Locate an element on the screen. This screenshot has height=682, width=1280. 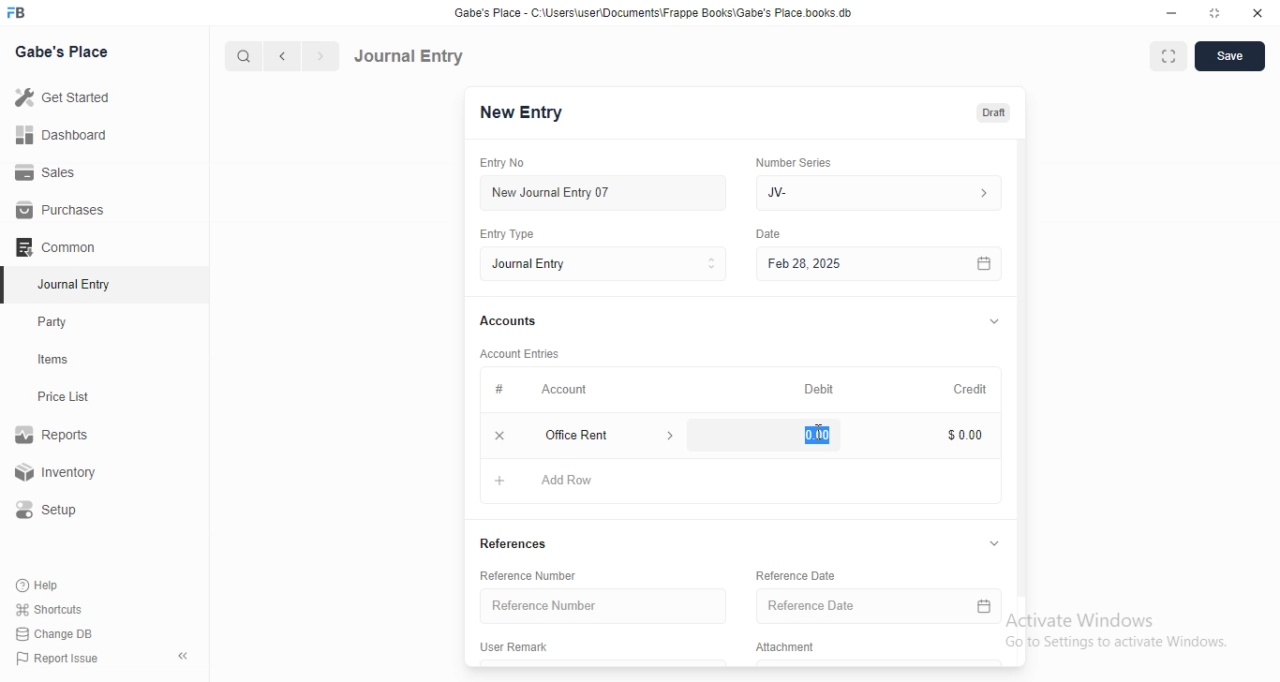
search is located at coordinates (241, 56).